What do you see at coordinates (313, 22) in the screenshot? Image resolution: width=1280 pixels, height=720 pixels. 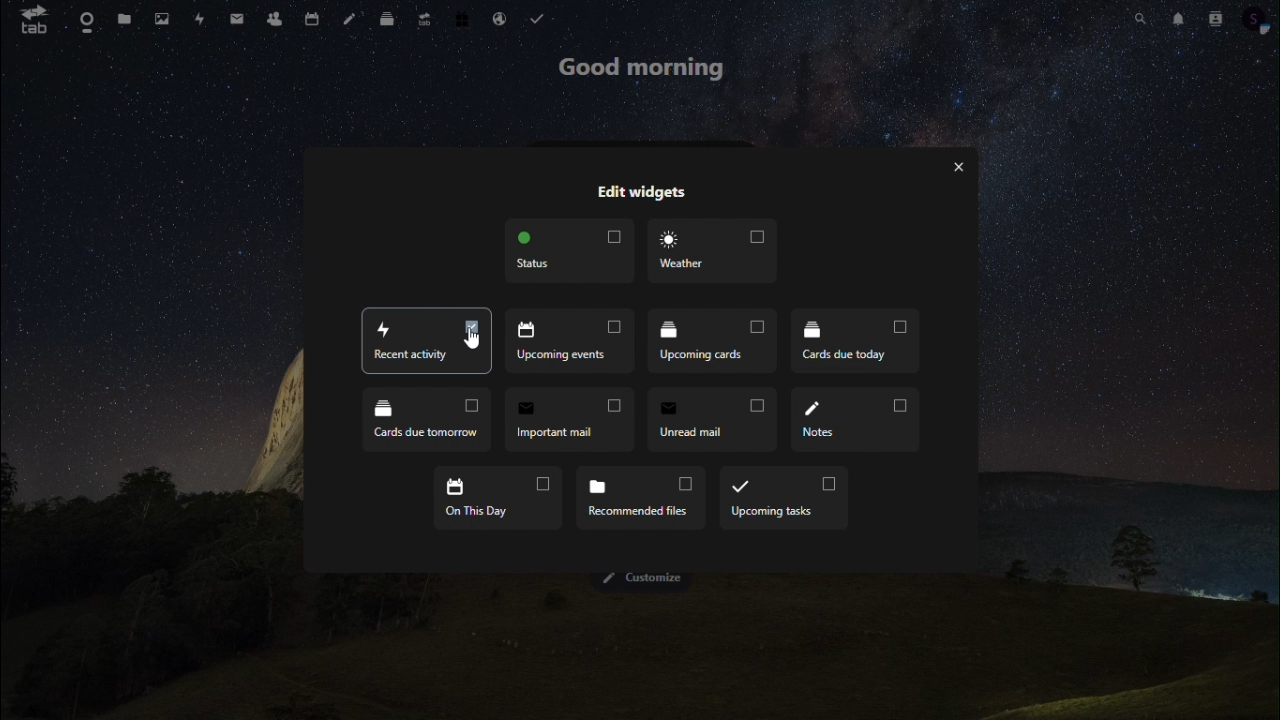 I see `calendar` at bounding box center [313, 22].